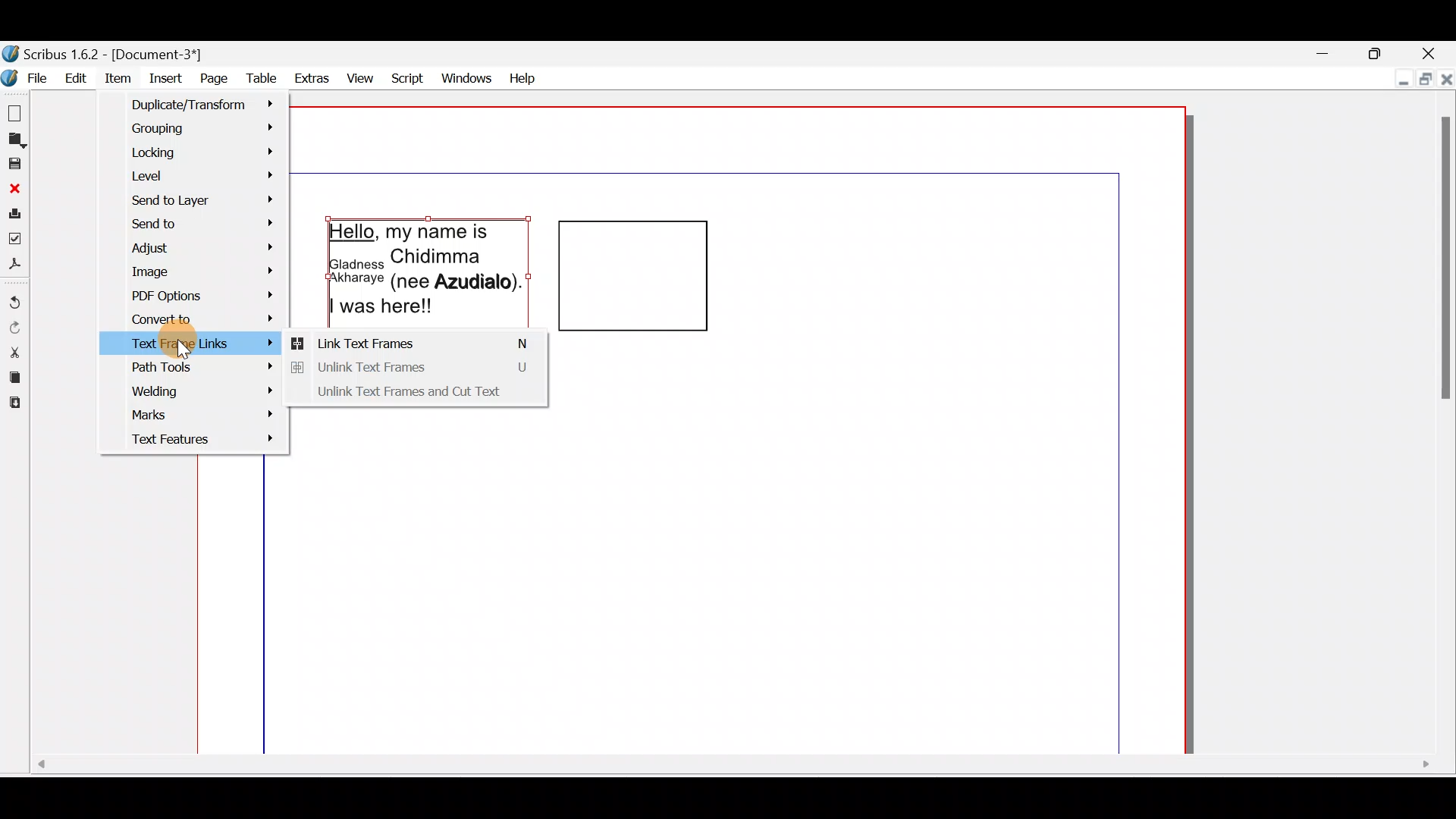  What do you see at coordinates (77, 78) in the screenshot?
I see `Edit` at bounding box center [77, 78].